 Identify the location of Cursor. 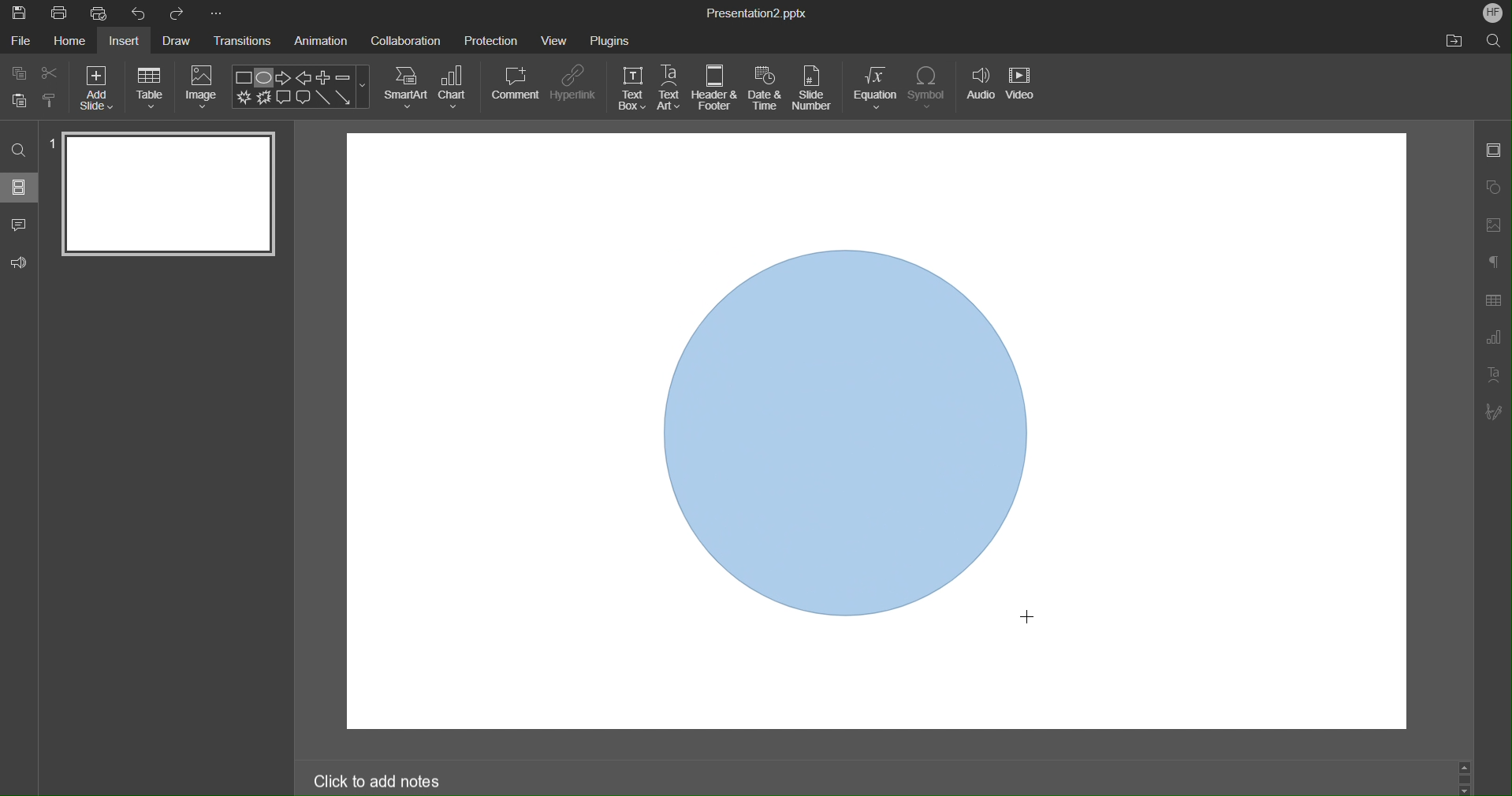
(1031, 617).